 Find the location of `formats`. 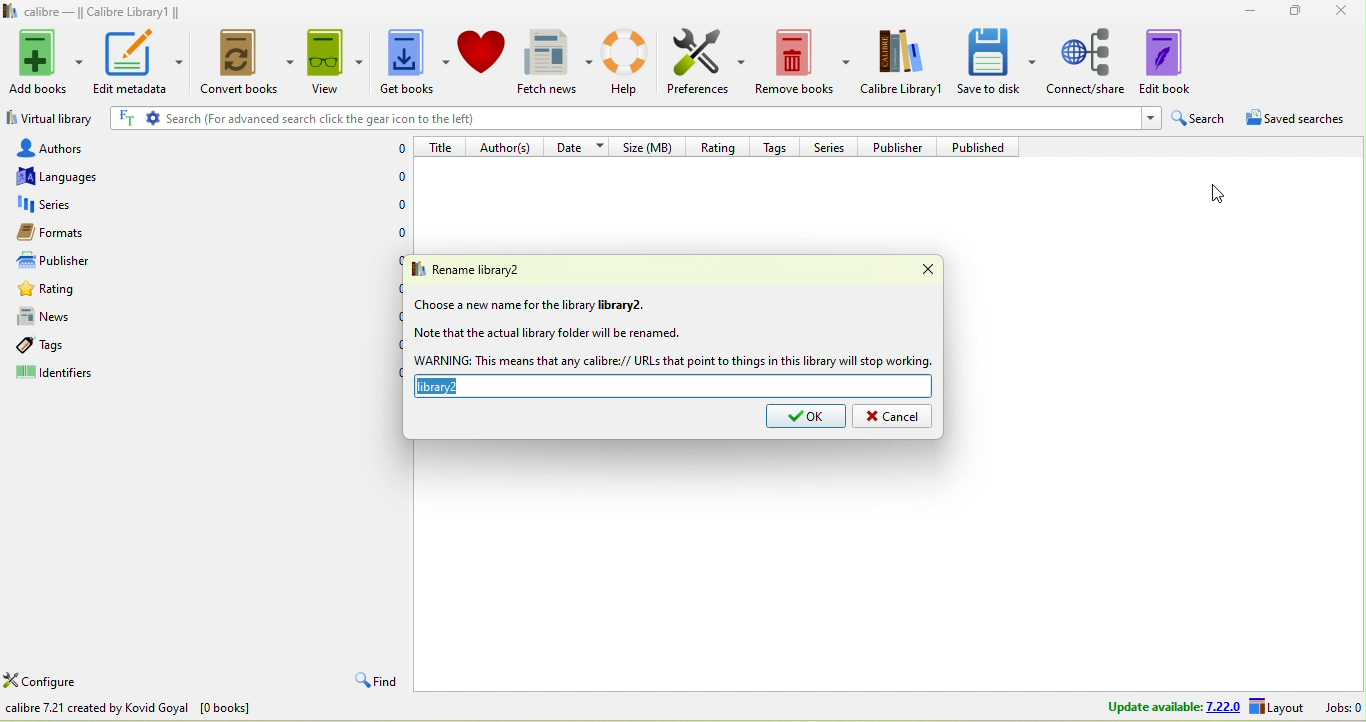

formats is located at coordinates (75, 232).